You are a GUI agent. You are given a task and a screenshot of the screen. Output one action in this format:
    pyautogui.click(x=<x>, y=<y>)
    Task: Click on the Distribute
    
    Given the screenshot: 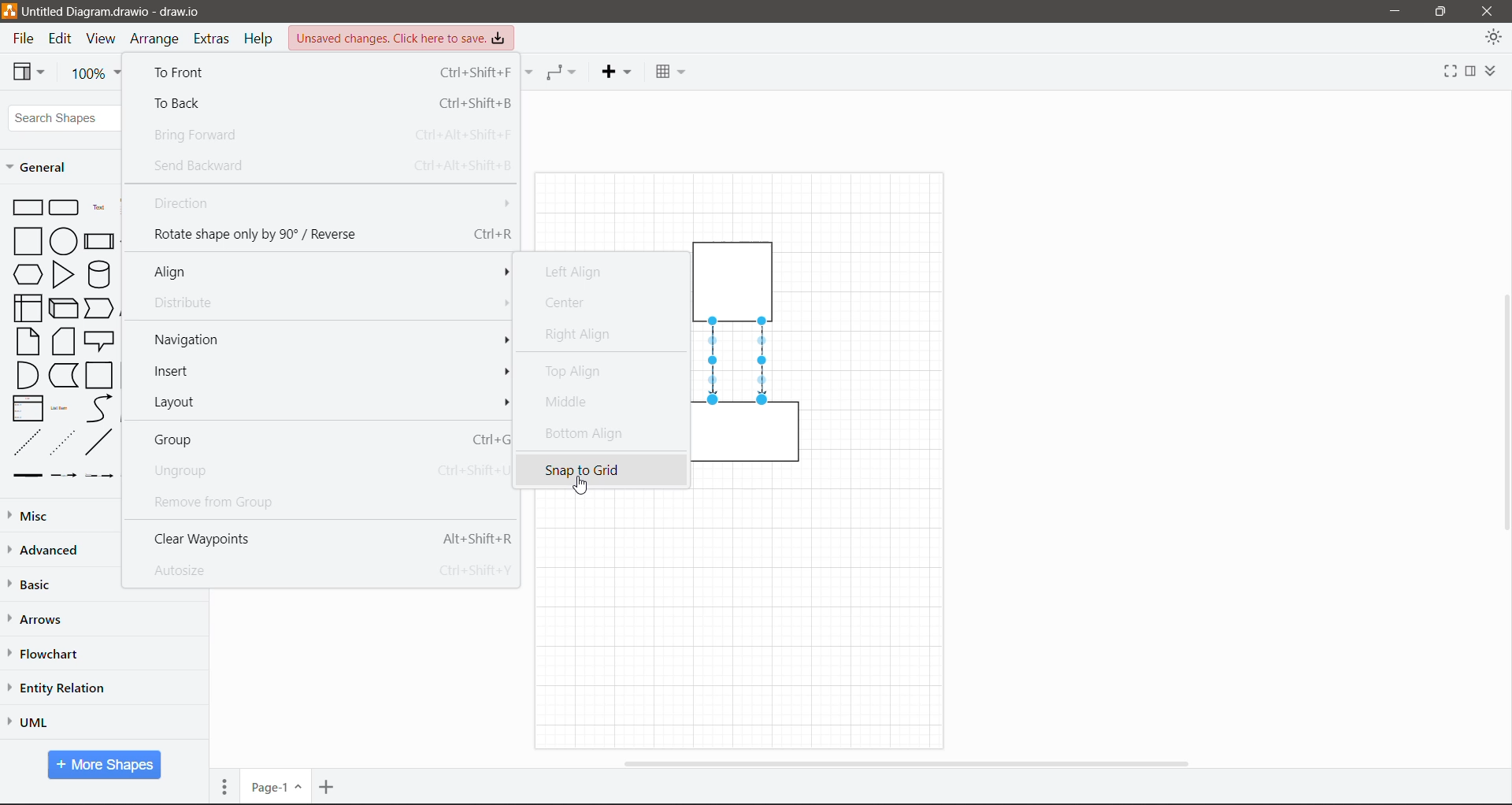 What is the action you would take?
    pyautogui.click(x=328, y=303)
    